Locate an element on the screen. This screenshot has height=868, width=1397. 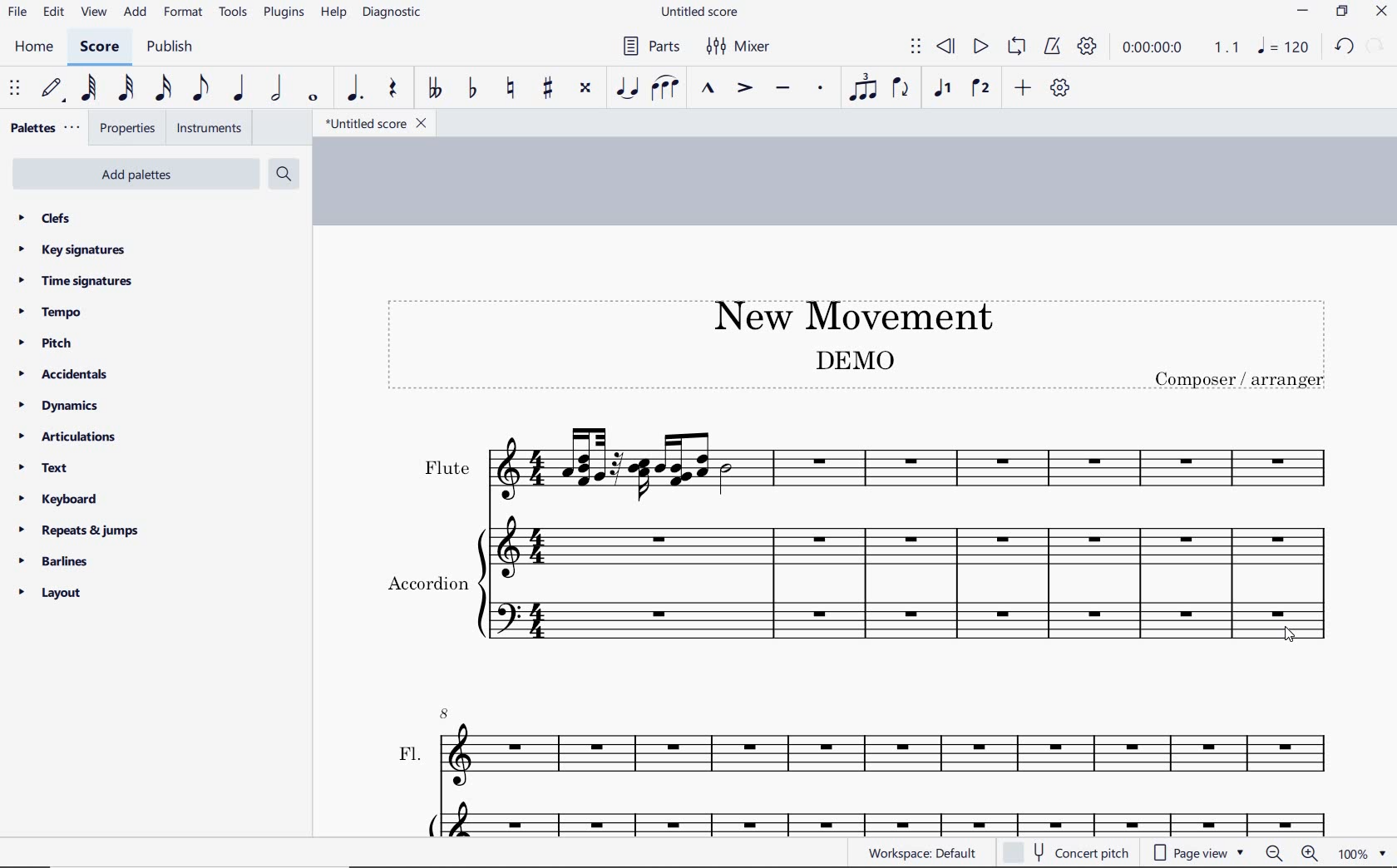
eighth note is located at coordinates (200, 91).